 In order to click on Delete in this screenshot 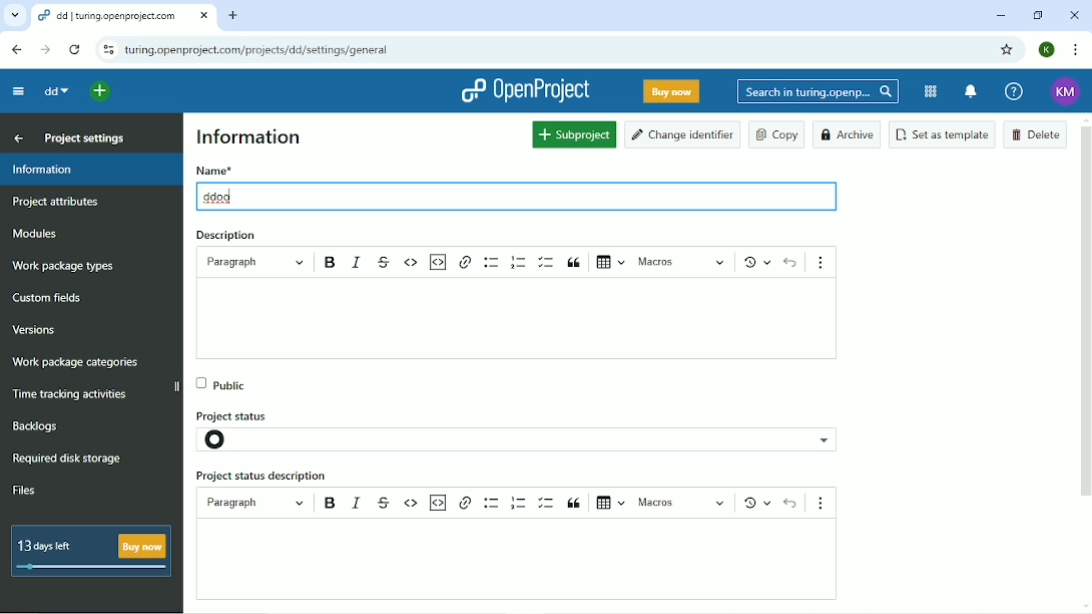, I will do `click(1036, 134)`.